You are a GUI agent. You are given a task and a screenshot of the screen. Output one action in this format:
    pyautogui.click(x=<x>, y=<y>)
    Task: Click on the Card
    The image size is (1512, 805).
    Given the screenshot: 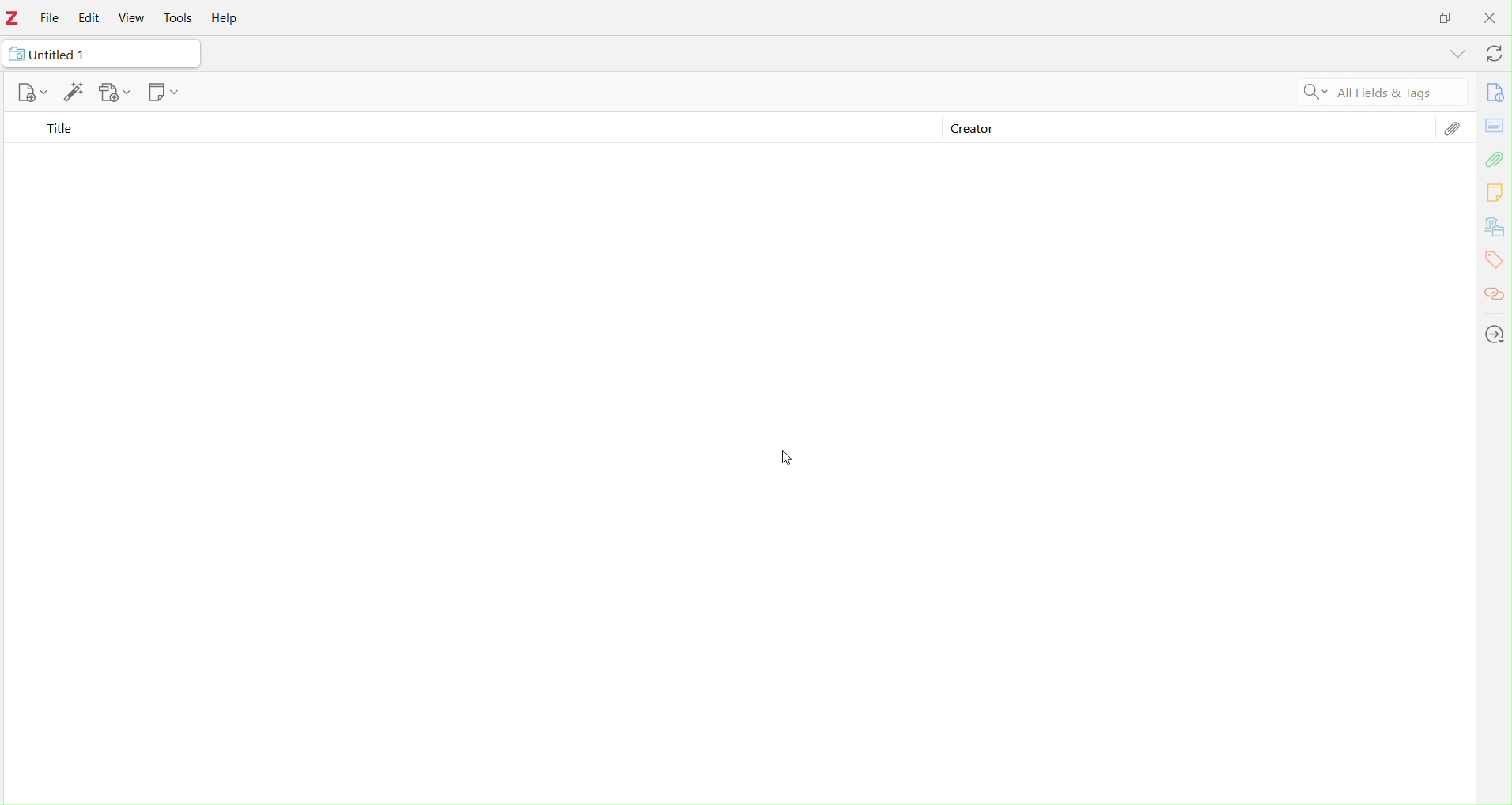 What is the action you would take?
    pyautogui.click(x=1495, y=124)
    